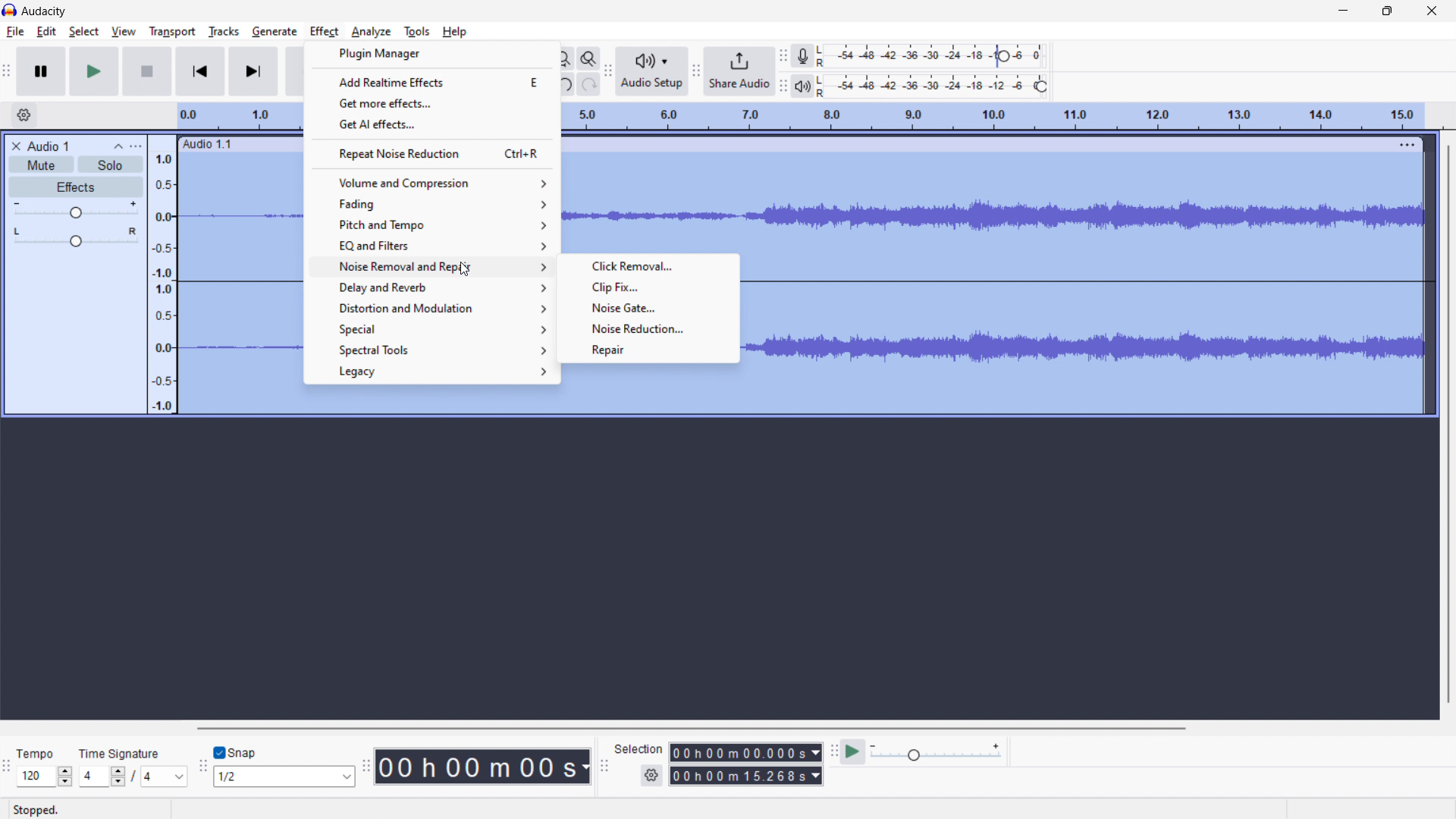  Describe the element at coordinates (783, 56) in the screenshot. I see `recording meter toolbar` at that location.